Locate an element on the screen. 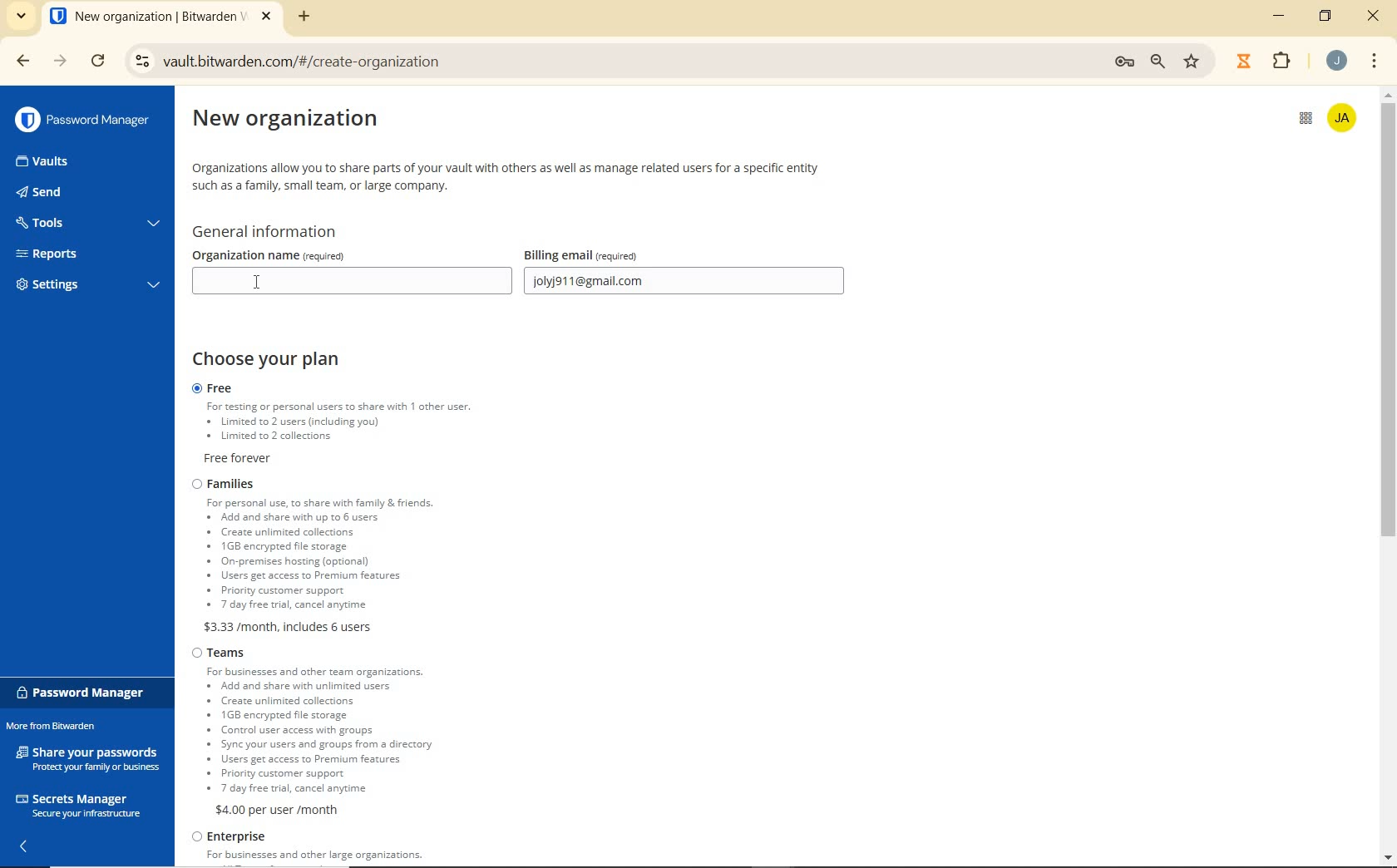 This screenshot has height=868, width=1397. families plan is located at coordinates (363, 555).